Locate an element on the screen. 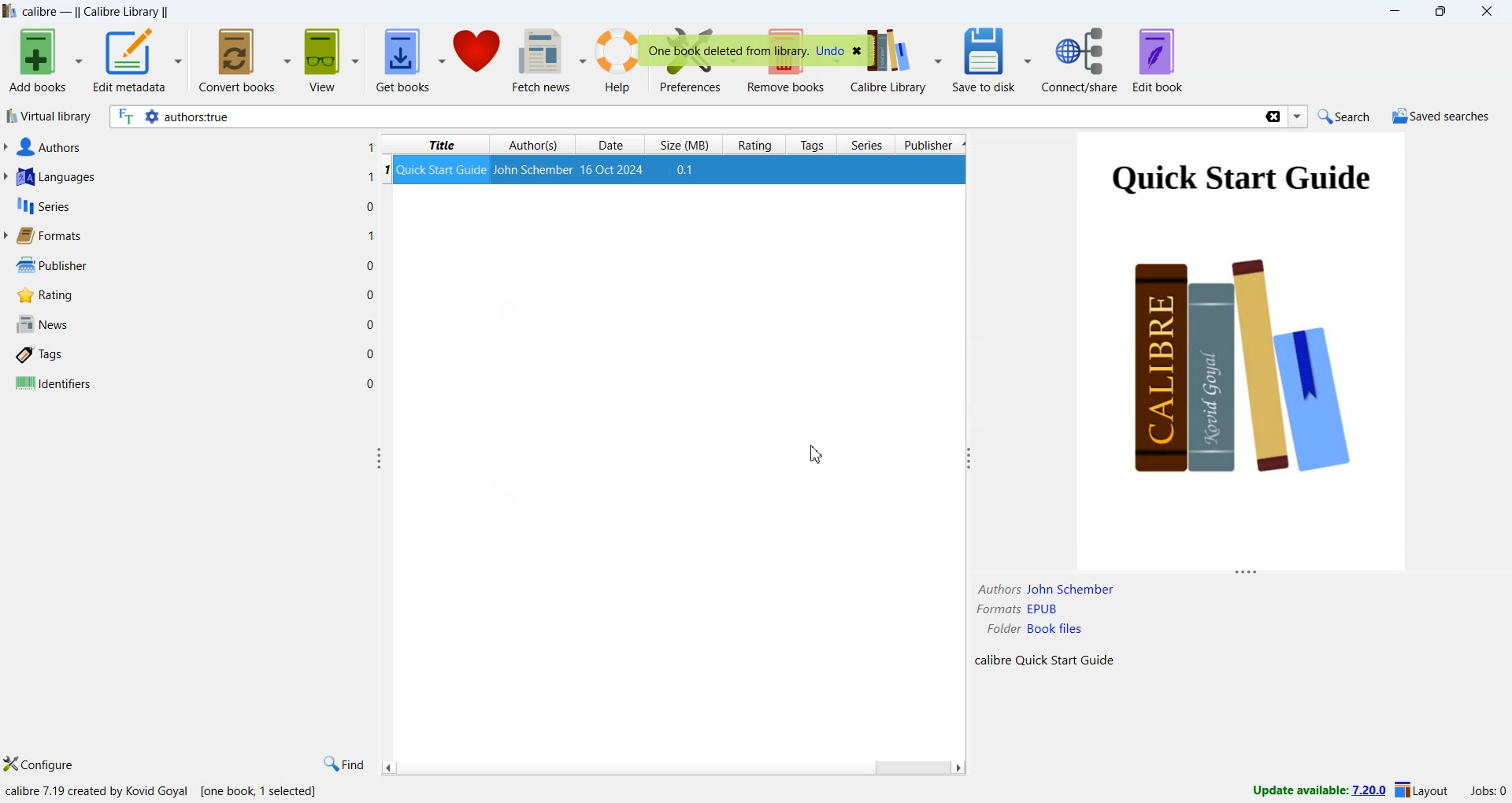 The height and width of the screenshot is (803, 1512). saved searches is located at coordinates (1440, 118).